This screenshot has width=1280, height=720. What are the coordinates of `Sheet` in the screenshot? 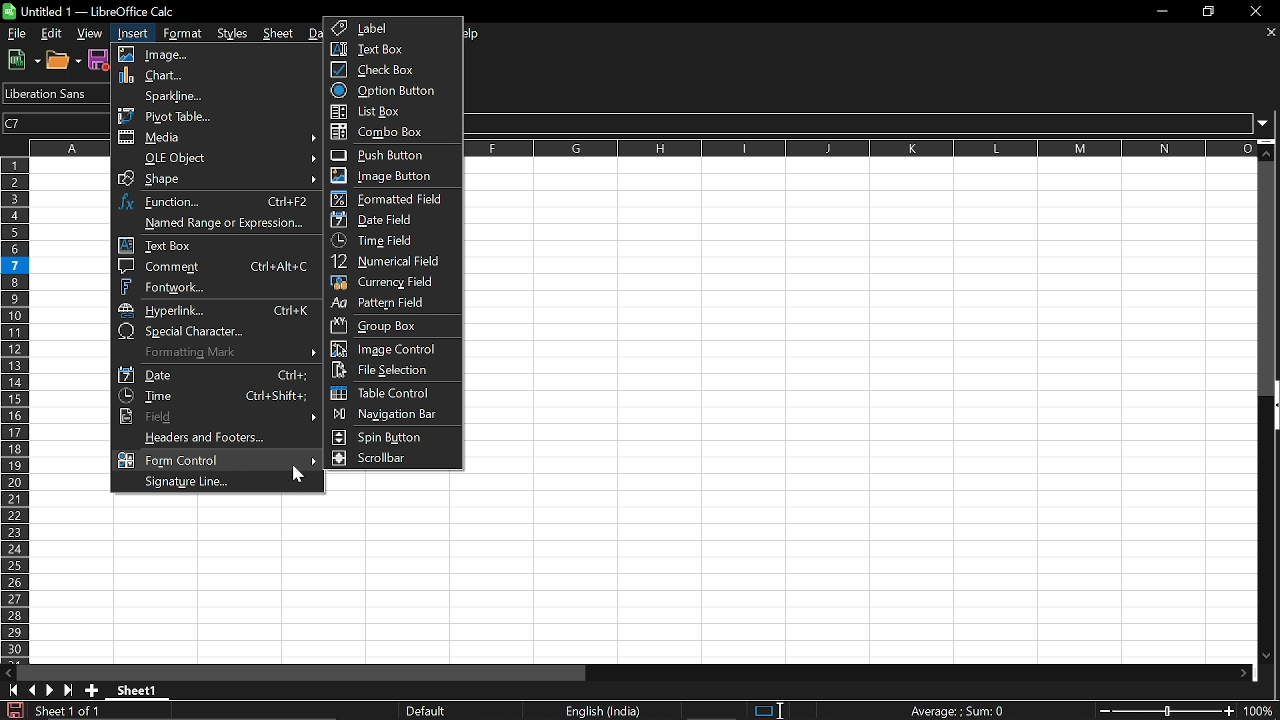 It's located at (281, 34).